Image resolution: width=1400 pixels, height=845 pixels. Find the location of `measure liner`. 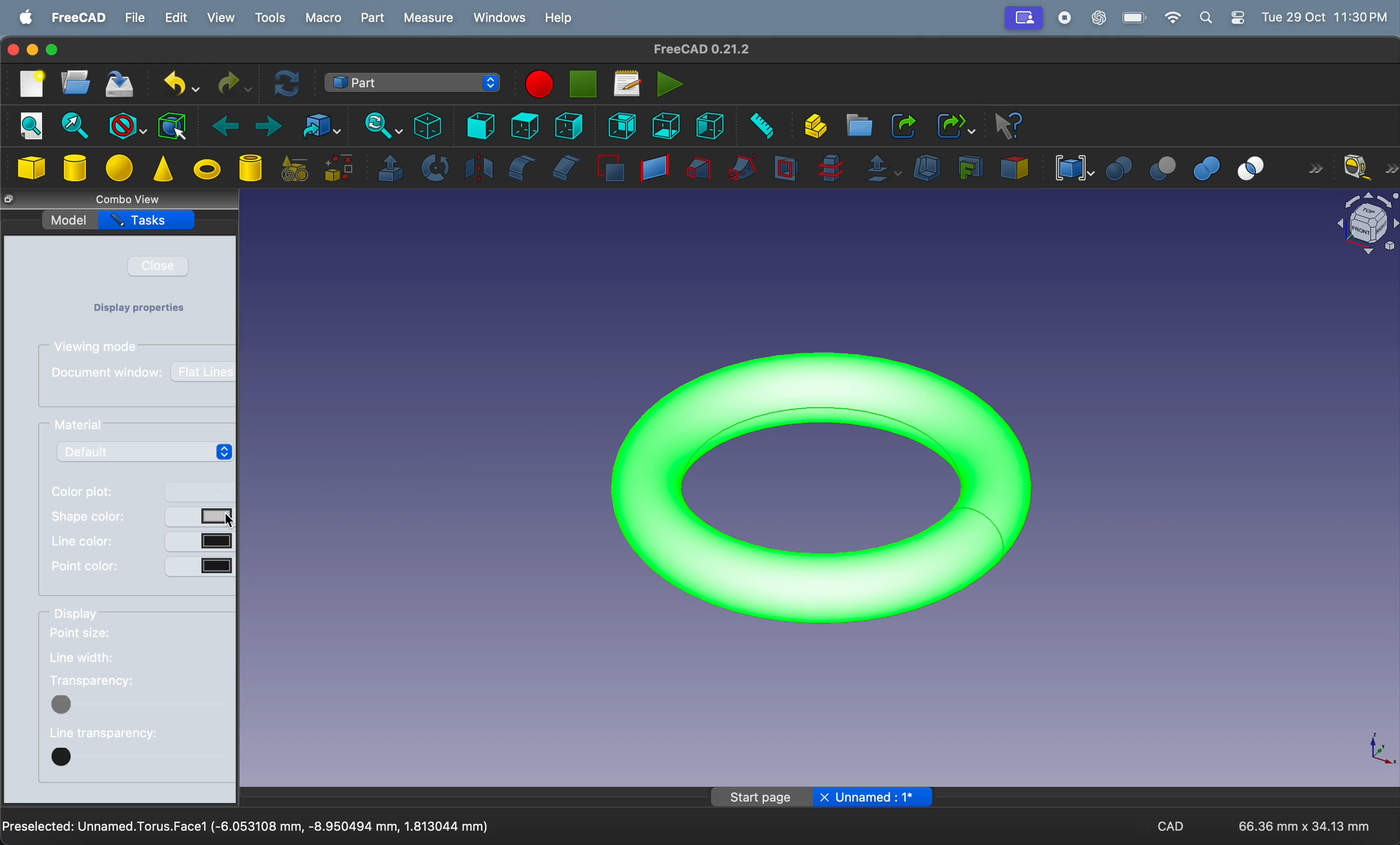

measure liner is located at coordinates (1370, 168).